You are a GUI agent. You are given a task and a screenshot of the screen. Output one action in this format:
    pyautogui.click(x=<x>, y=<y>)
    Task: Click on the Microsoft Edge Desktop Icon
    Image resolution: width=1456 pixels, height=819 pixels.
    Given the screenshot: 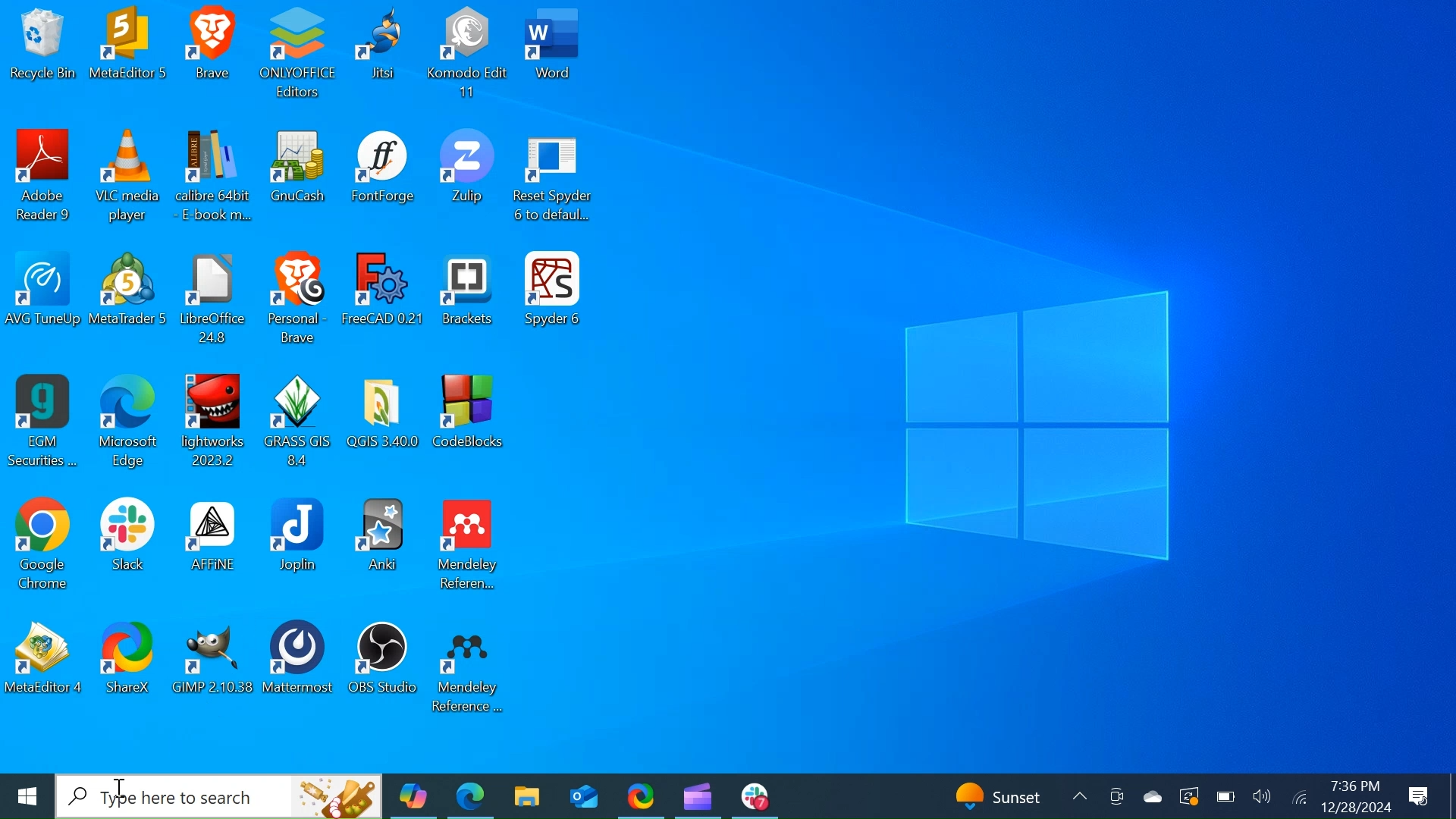 What is the action you would take?
    pyautogui.click(x=129, y=423)
    